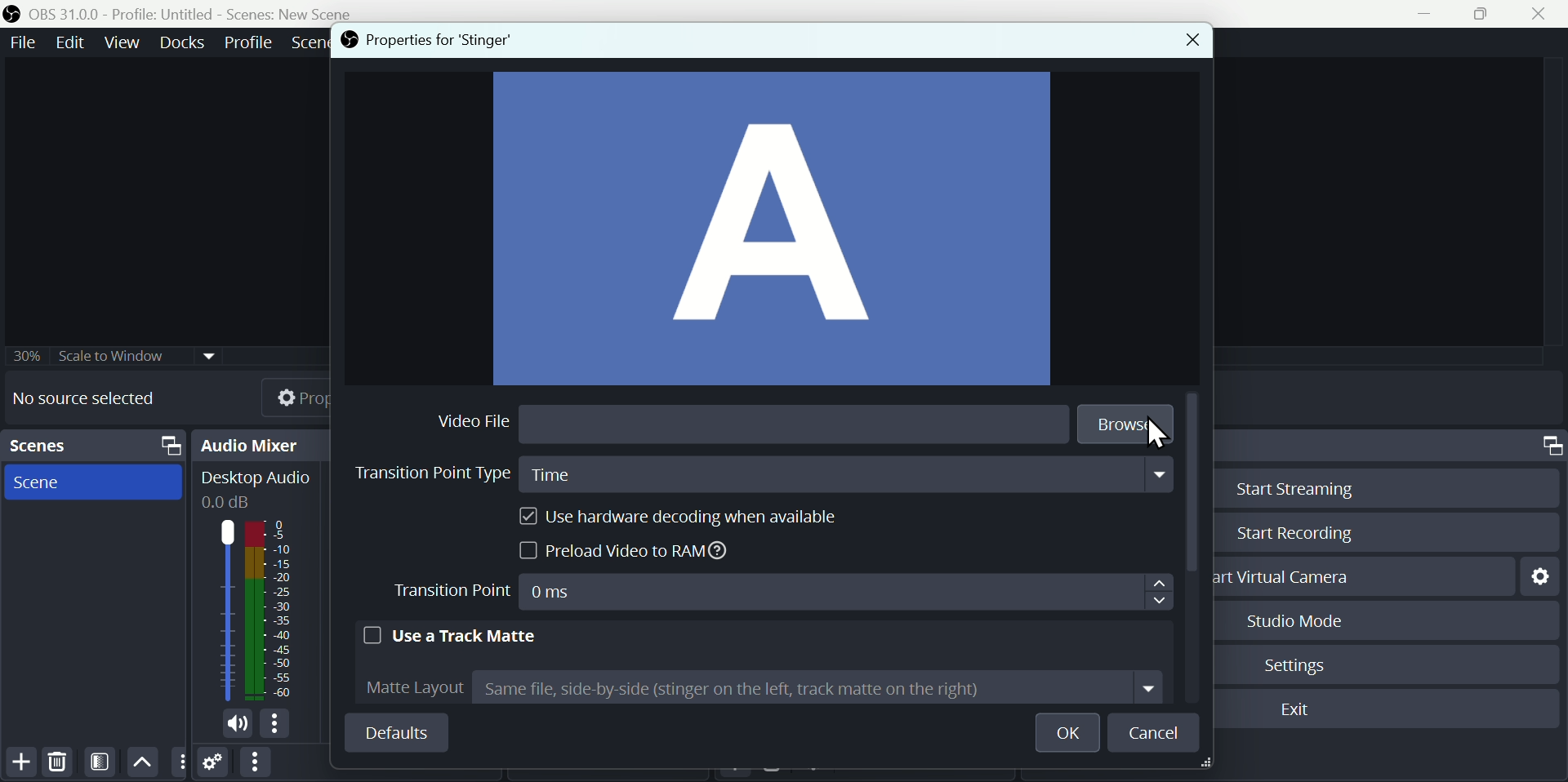  I want to click on properties for Stinger, so click(424, 41).